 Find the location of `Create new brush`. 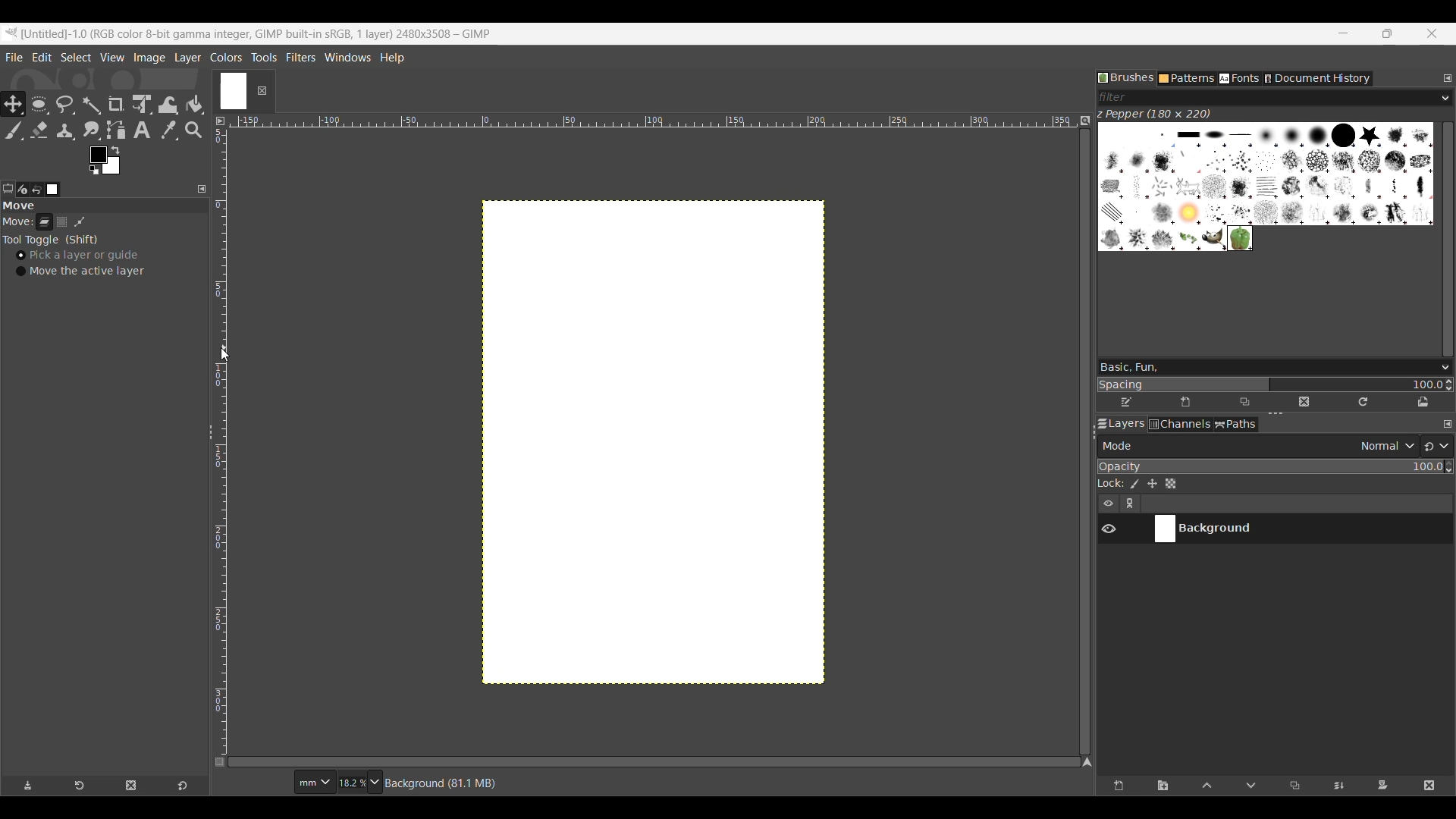

Create new brush is located at coordinates (1185, 403).